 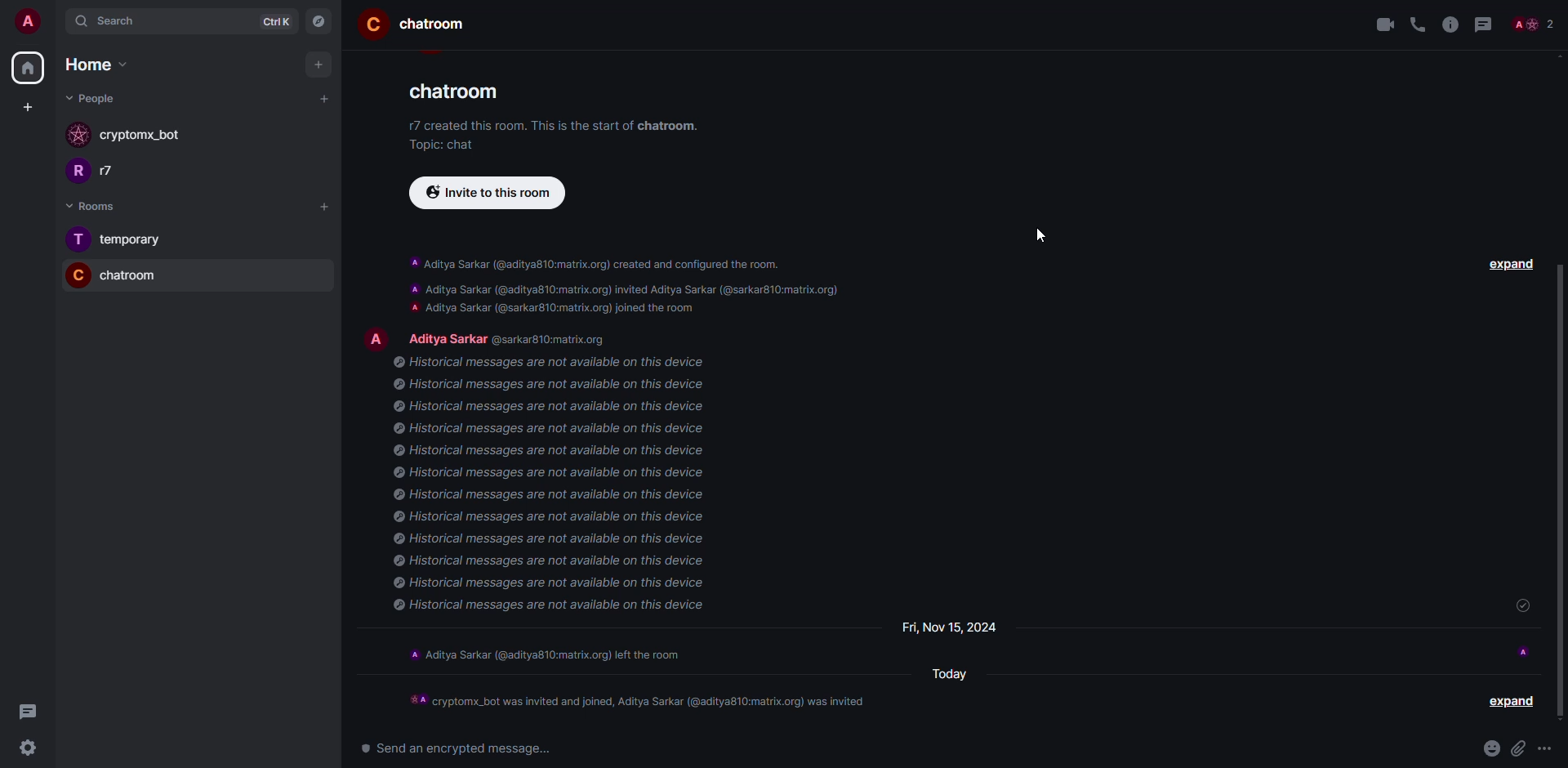 I want to click on expand, so click(x=1508, y=703).